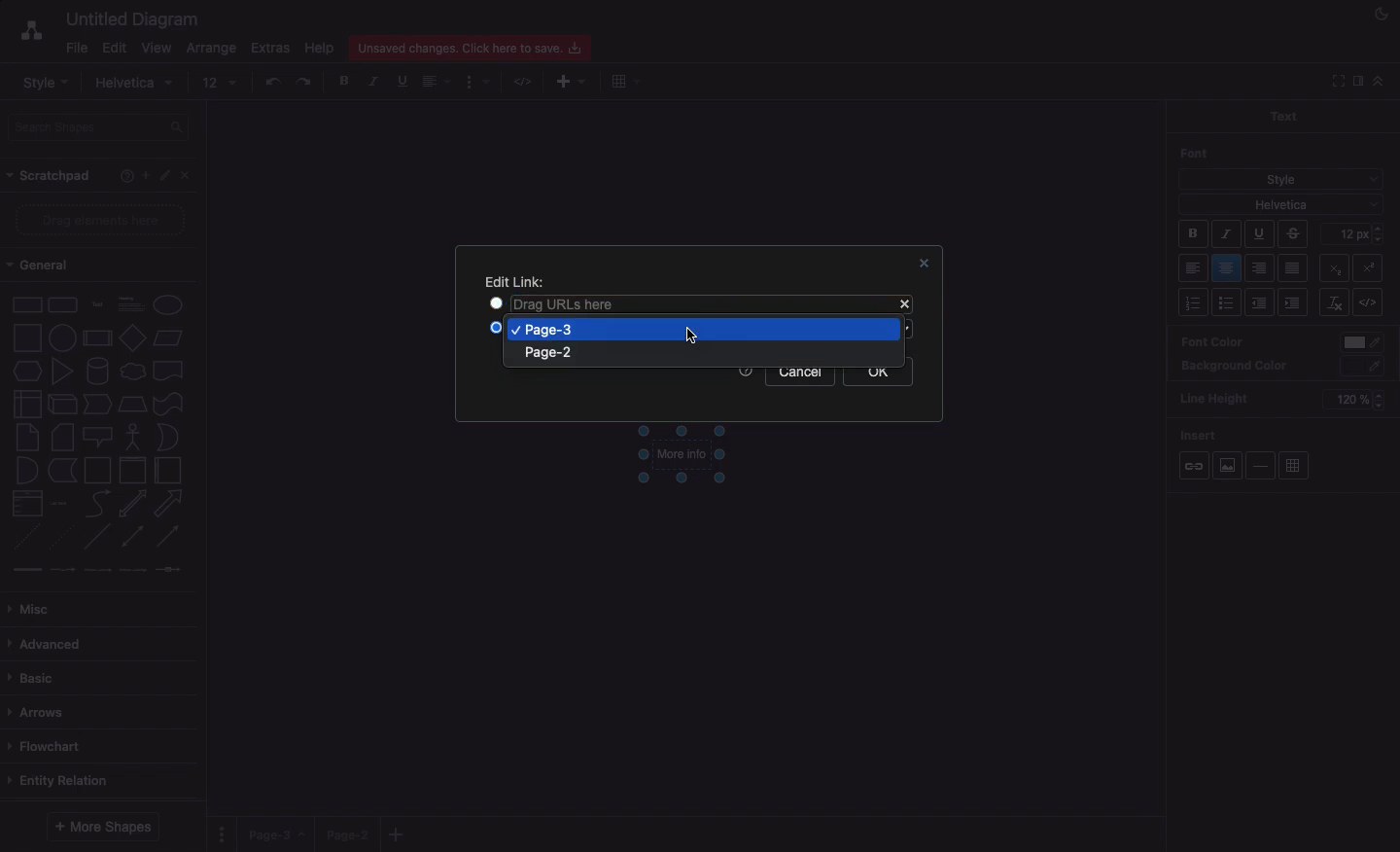  Describe the element at coordinates (137, 84) in the screenshot. I see `Helvetica` at that location.